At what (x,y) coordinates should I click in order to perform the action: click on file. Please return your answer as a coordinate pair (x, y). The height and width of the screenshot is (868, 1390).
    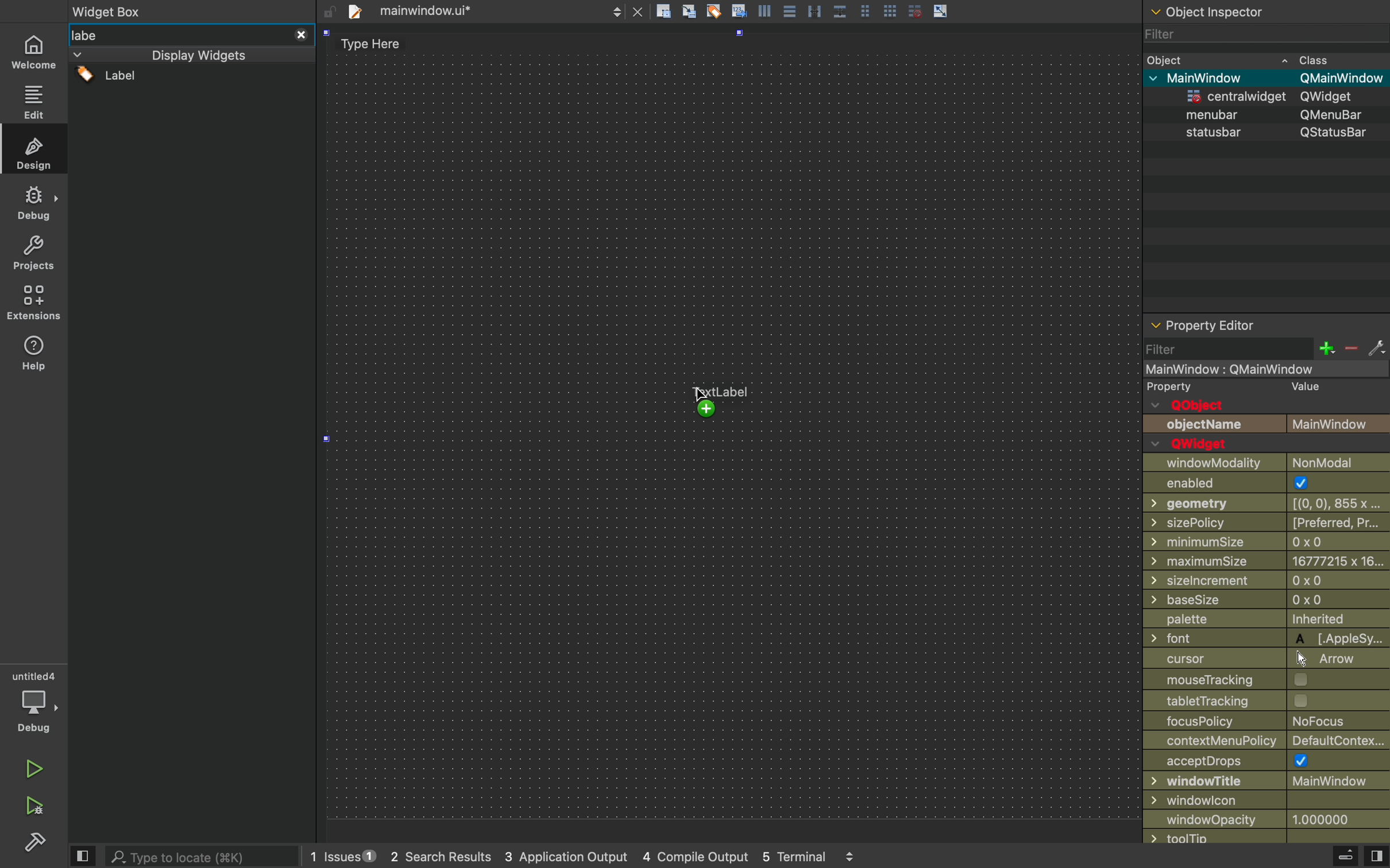
    Looking at the image, I should click on (484, 11).